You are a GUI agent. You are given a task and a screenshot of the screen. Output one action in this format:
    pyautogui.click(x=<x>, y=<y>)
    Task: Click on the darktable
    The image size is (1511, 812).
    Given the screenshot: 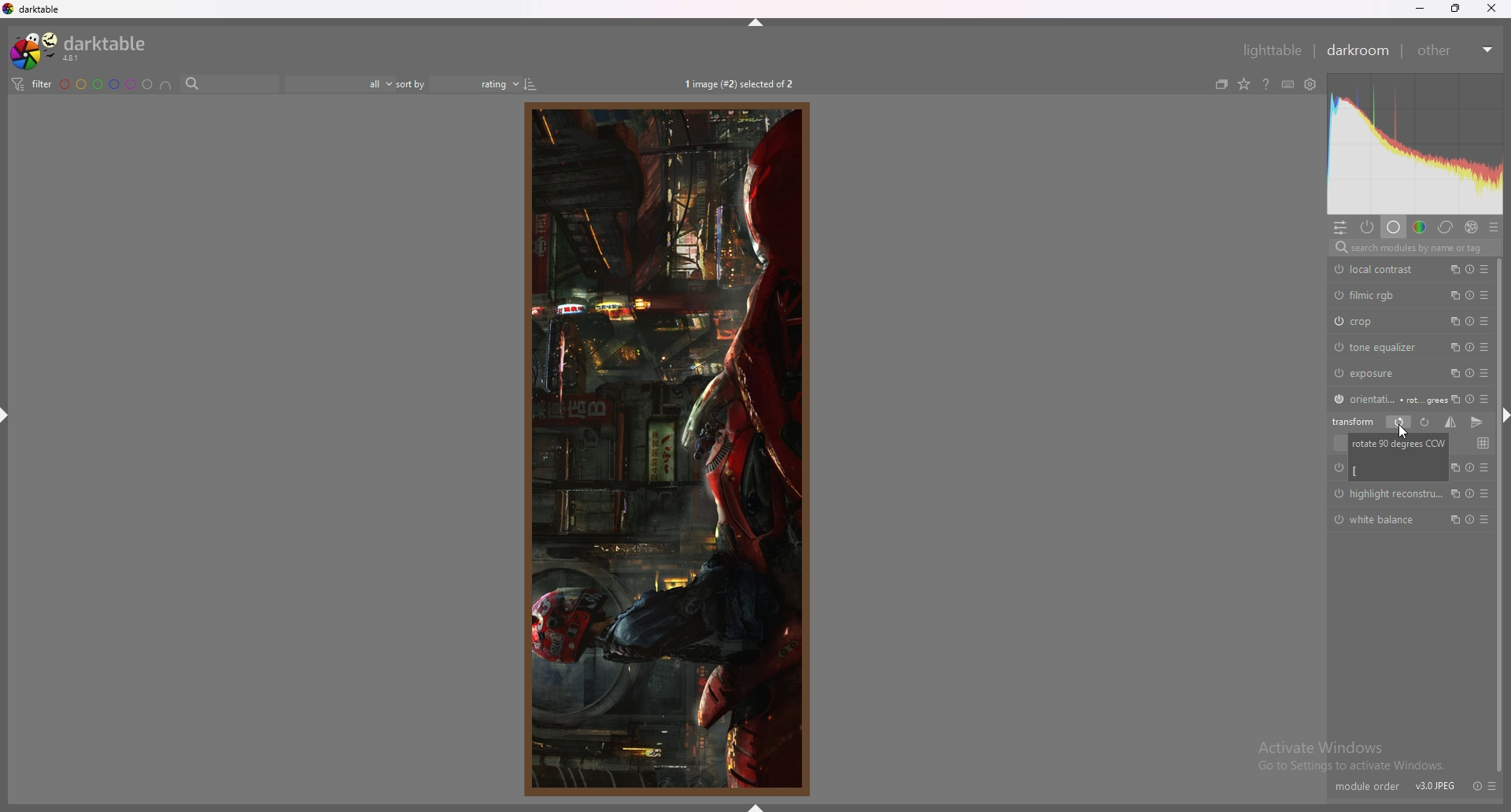 What is the action you would take?
    pyautogui.click(x=84, y=49)
    